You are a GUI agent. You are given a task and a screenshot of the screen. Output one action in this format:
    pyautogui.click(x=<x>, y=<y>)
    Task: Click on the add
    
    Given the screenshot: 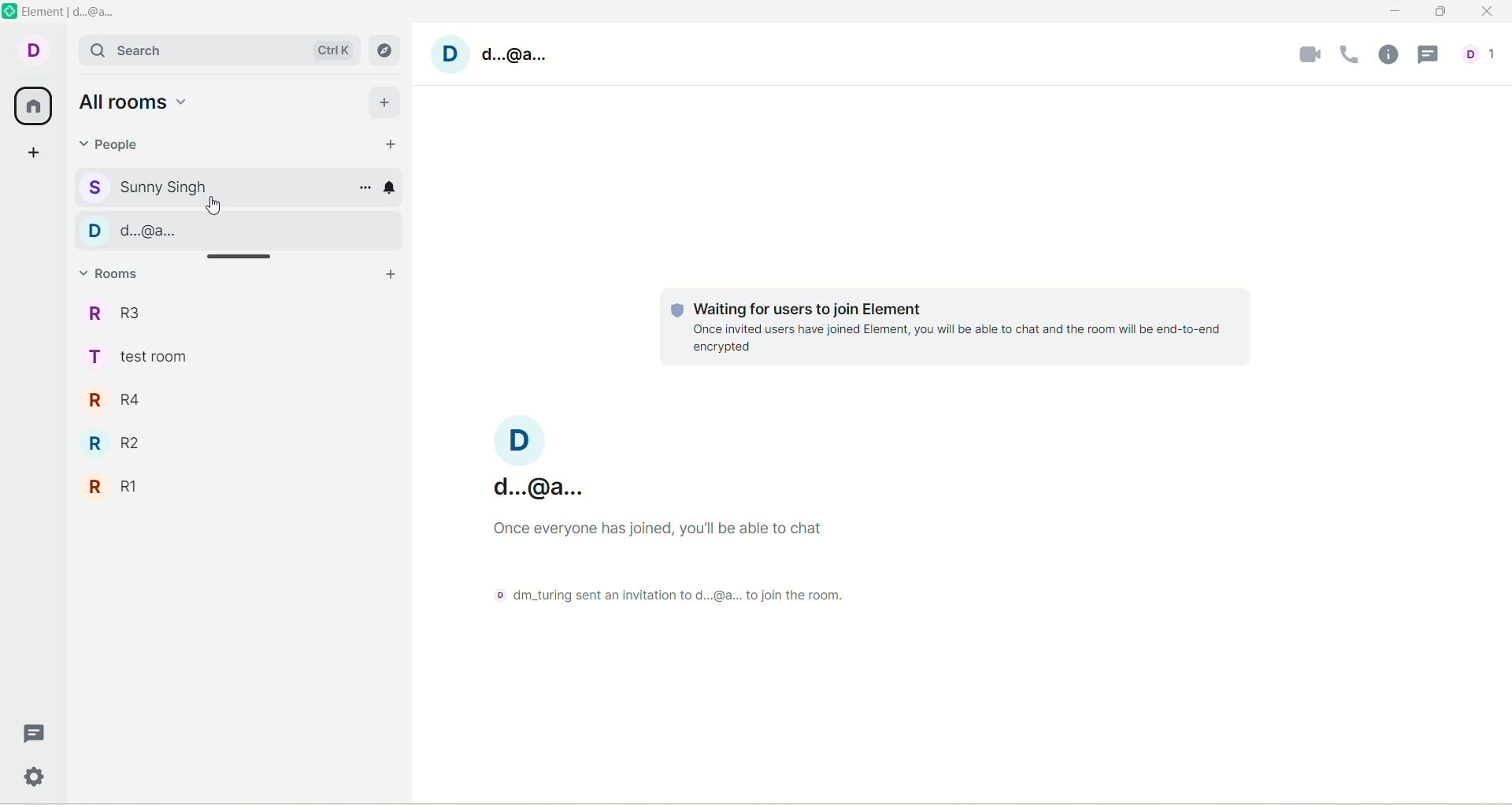 What is the action you would take?
    pyautogui.click(x=389, y=276)
    